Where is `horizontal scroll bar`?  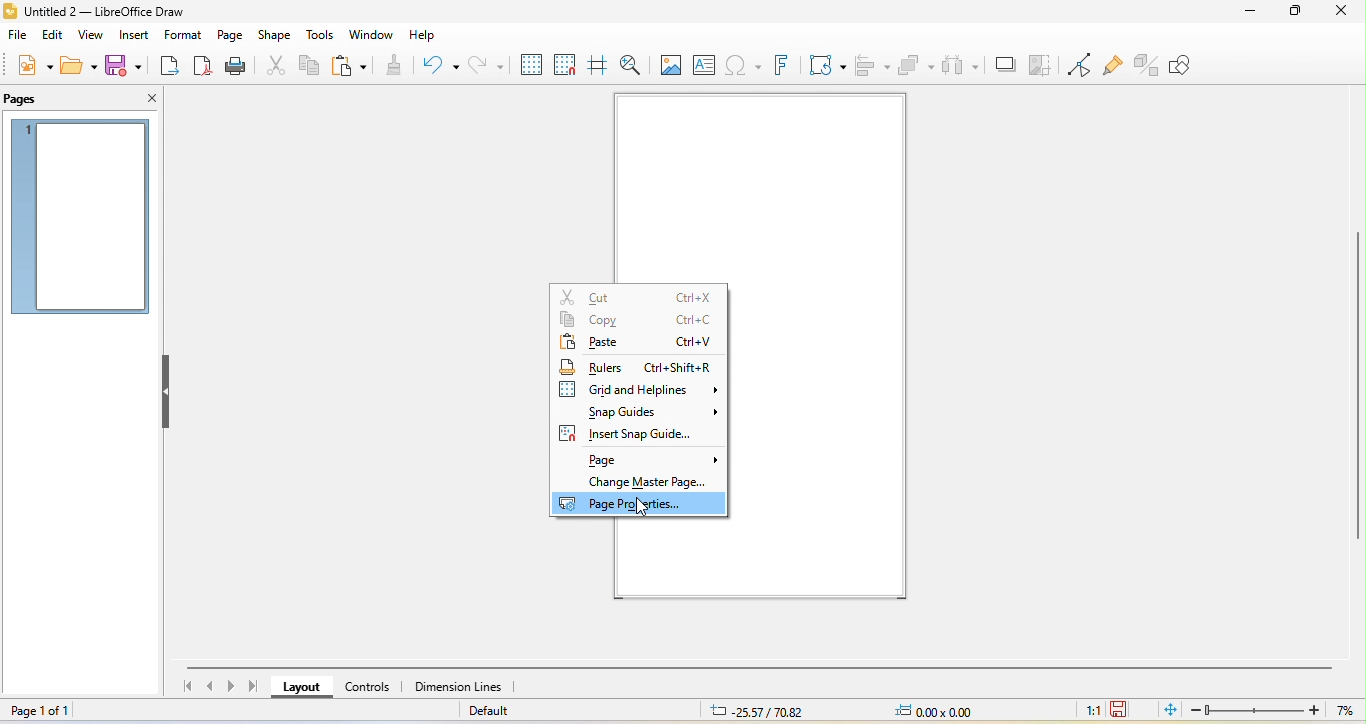
horizontal scroll bar is located at coordinates (763, 665).